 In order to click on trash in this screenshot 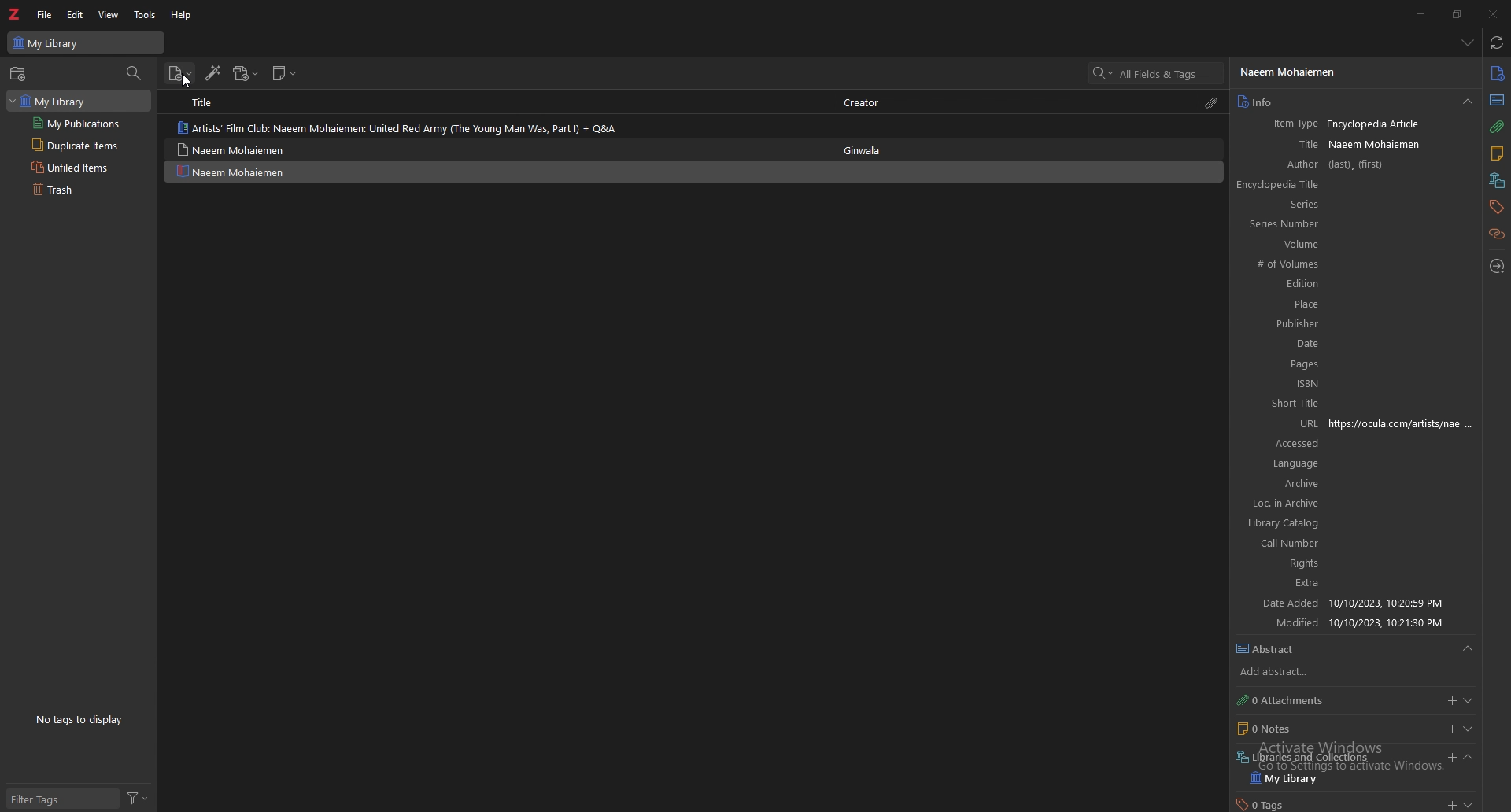, I will do `click(74, 190)`.